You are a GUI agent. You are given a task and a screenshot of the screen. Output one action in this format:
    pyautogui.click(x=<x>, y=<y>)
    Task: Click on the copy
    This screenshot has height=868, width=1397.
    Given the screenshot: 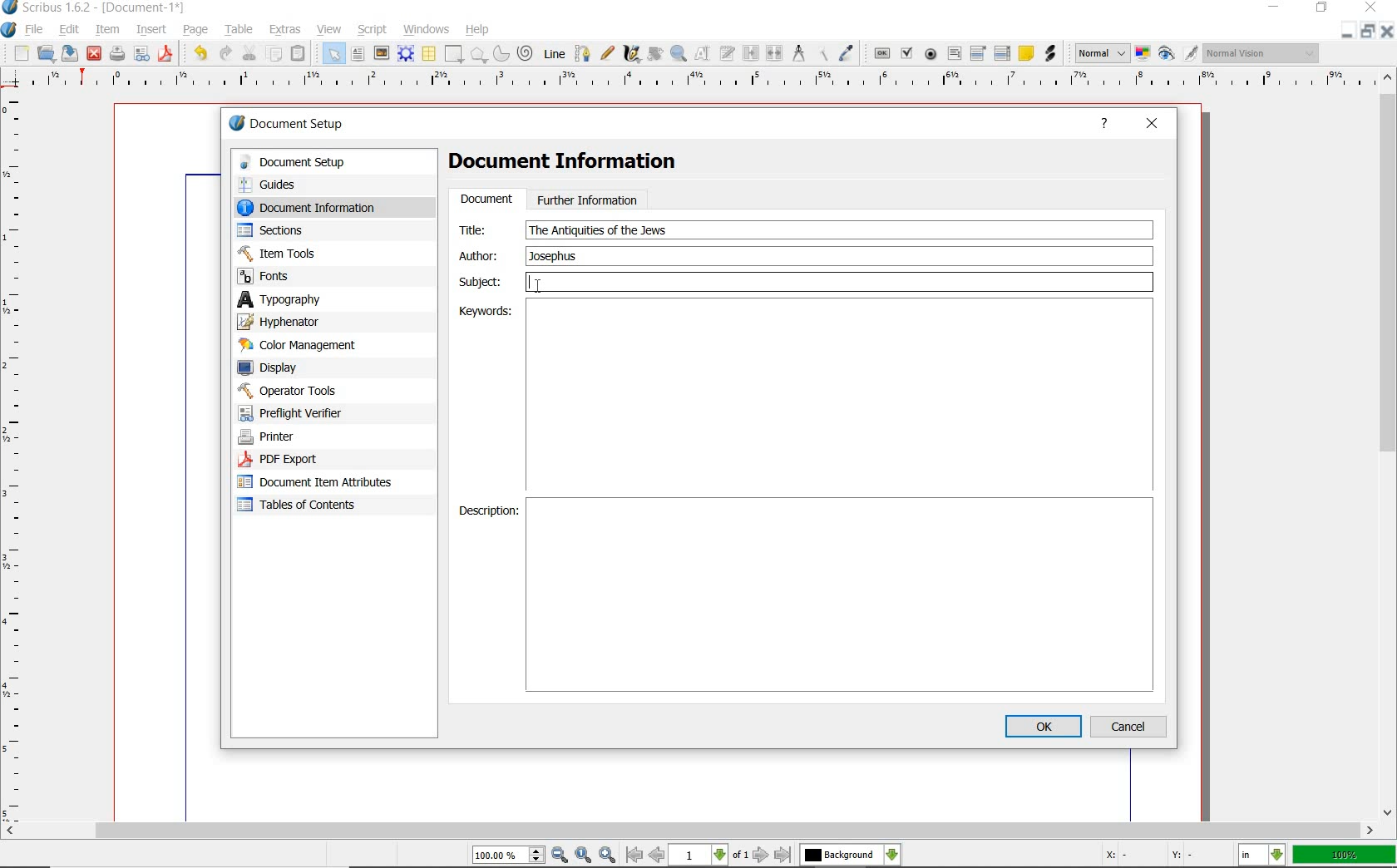 What is the action you would take?
    pyautogui.click(x=274, y=53)
    